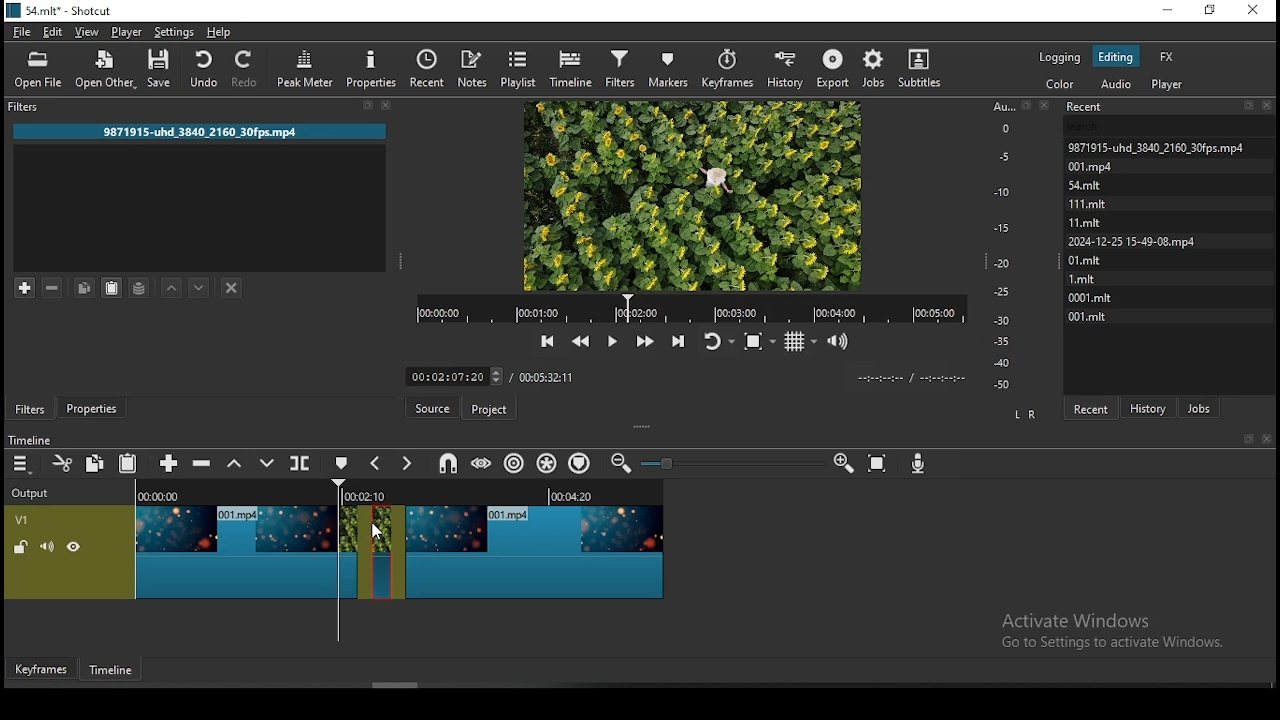  Describe the element at coordinates (107, 72) in the screenshot. I see `open other` at that location.